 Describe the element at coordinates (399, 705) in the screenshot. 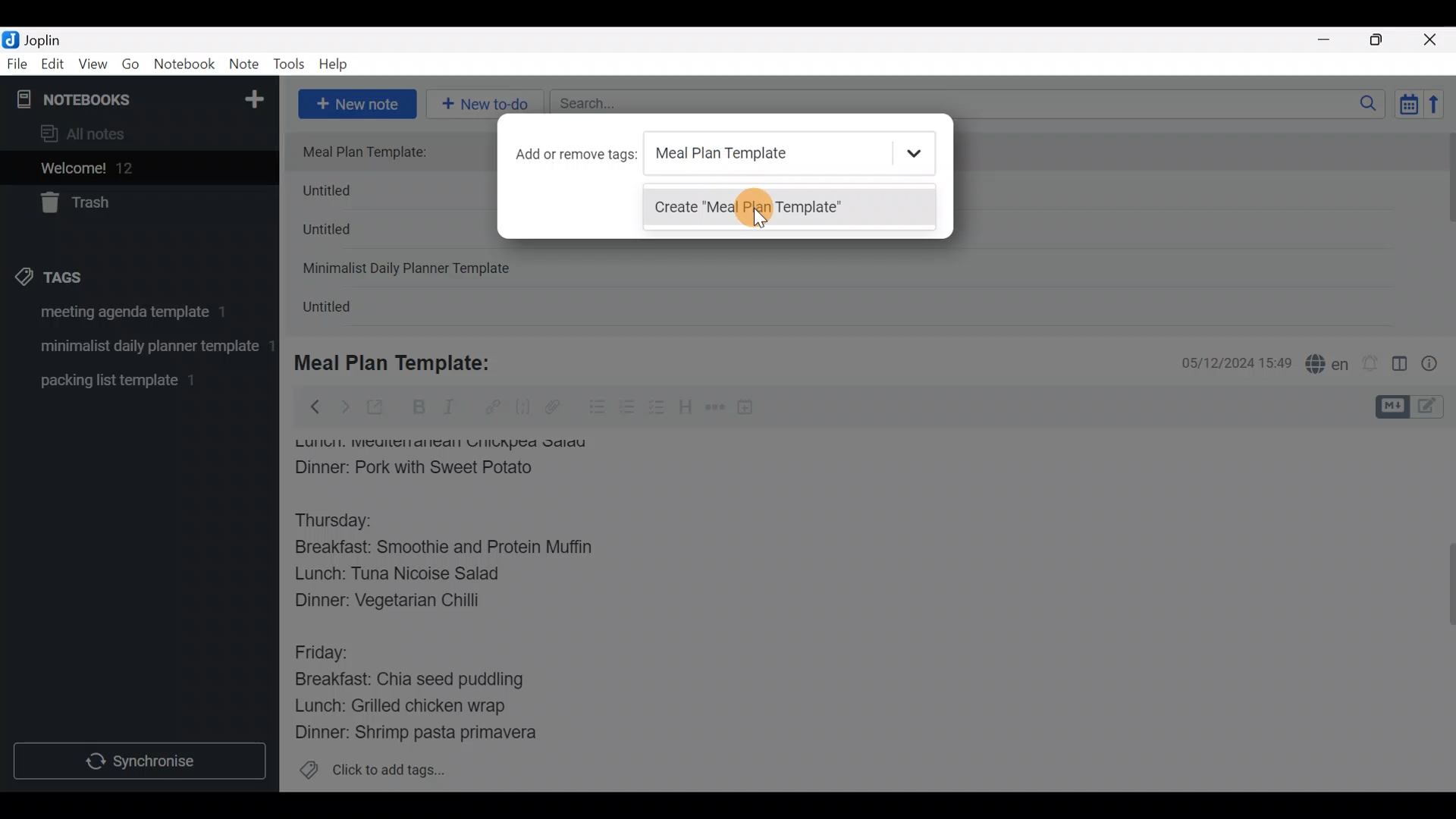

I see `Lunch: Grilled chicken wrap` at that location.